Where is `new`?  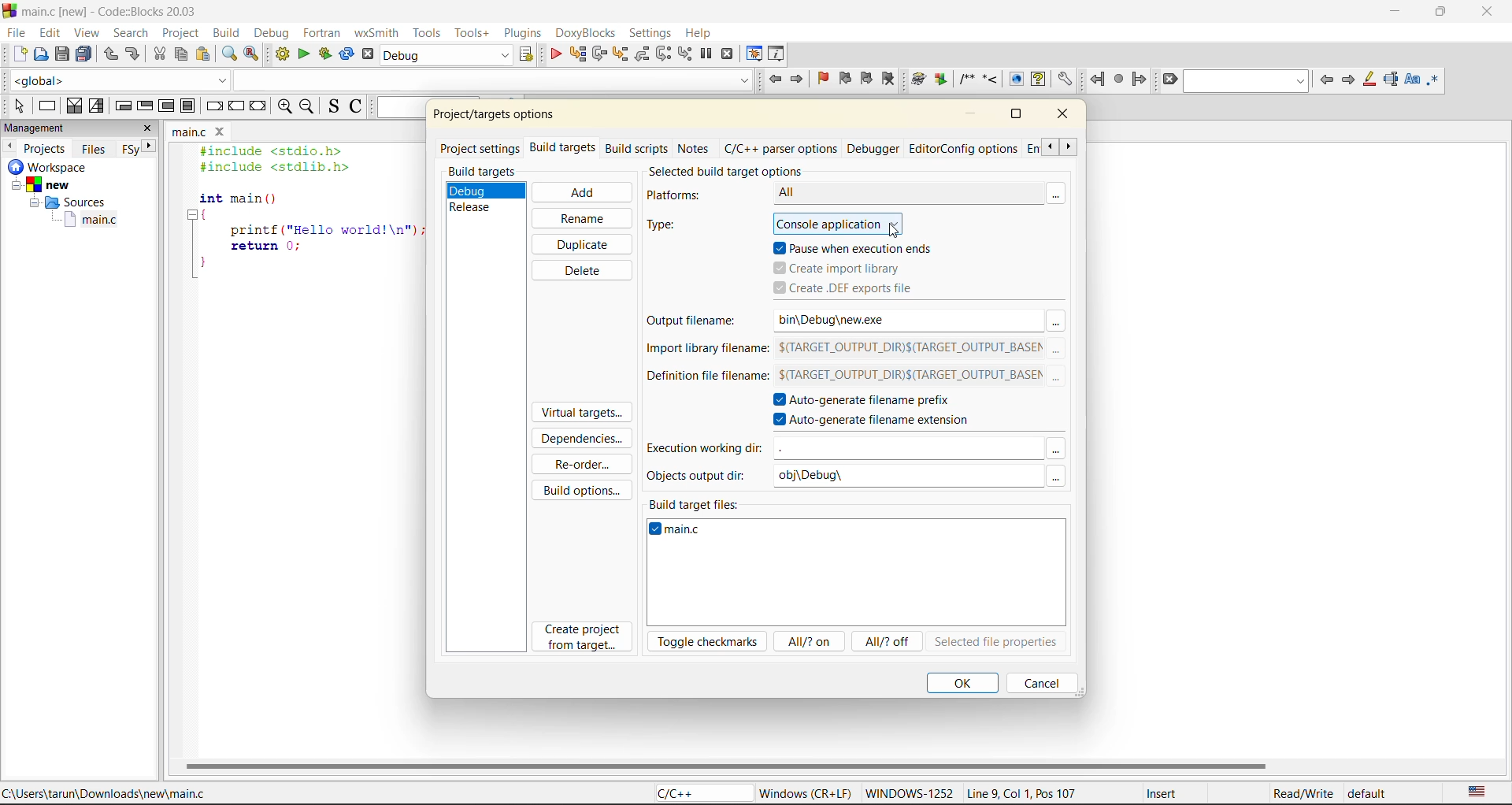
new is located at coordinates (63, 184).